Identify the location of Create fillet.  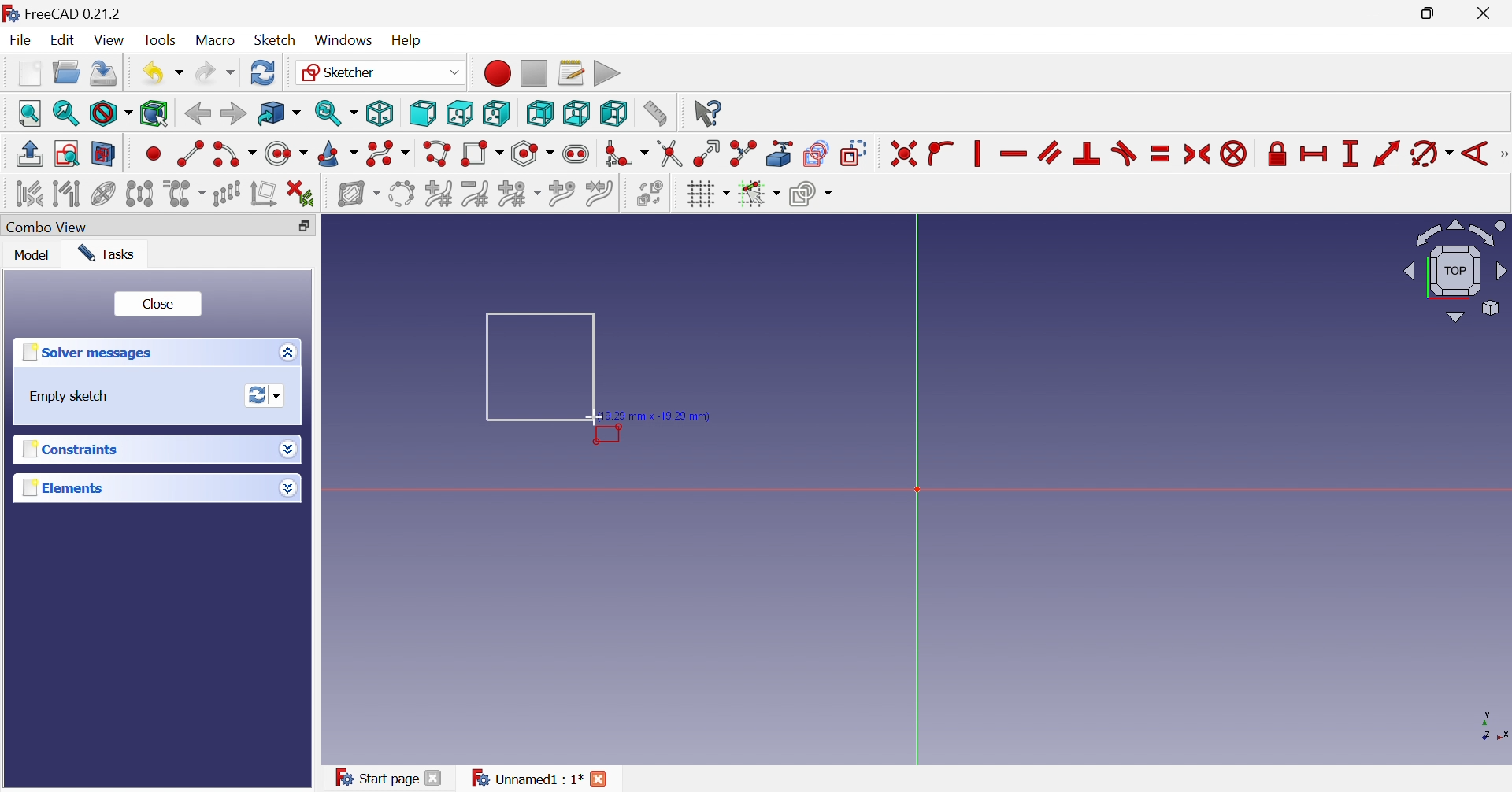
(625, 154).